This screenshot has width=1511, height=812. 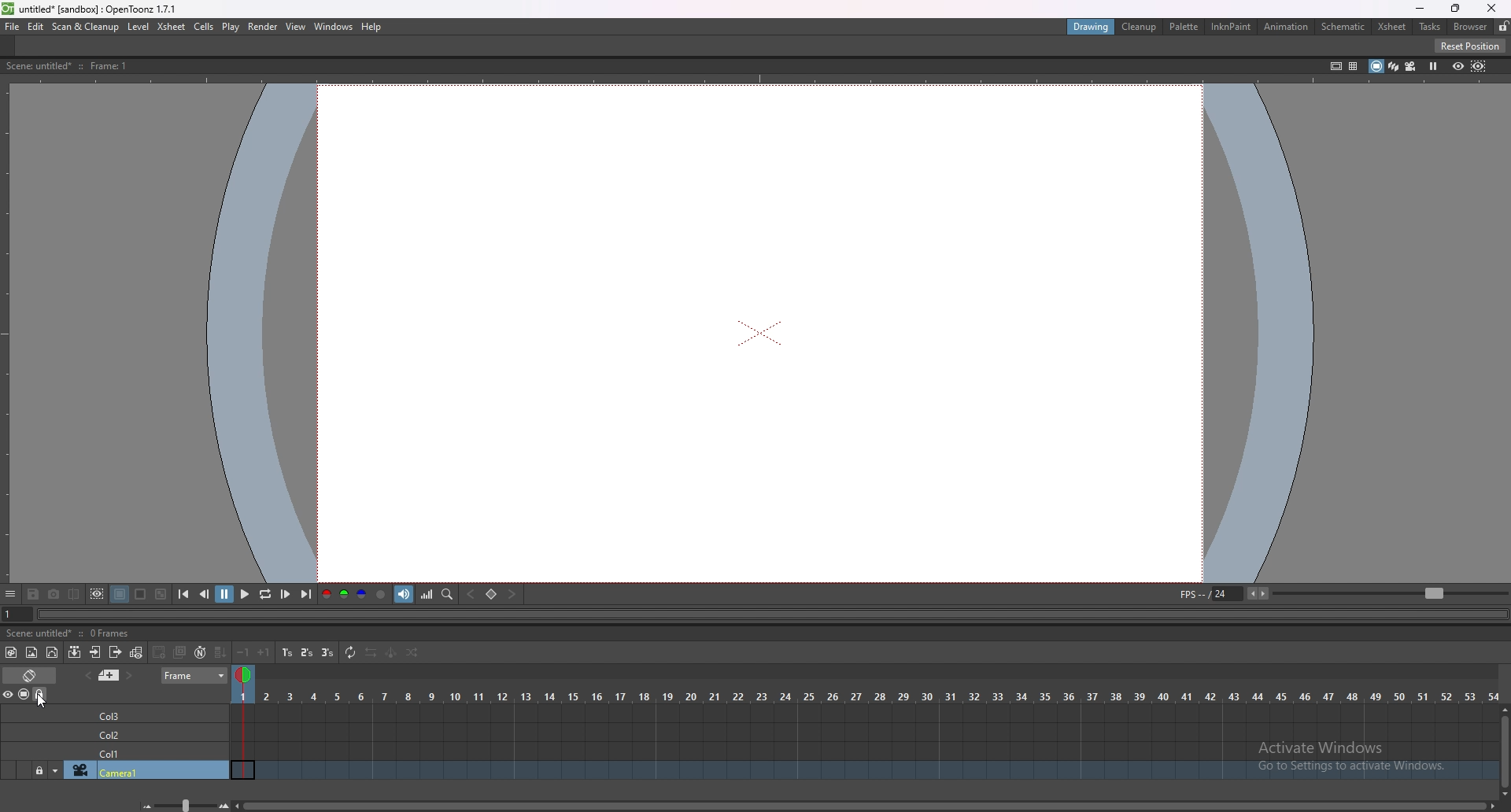 I want to click on drawing, so click(x=1092, y=28).